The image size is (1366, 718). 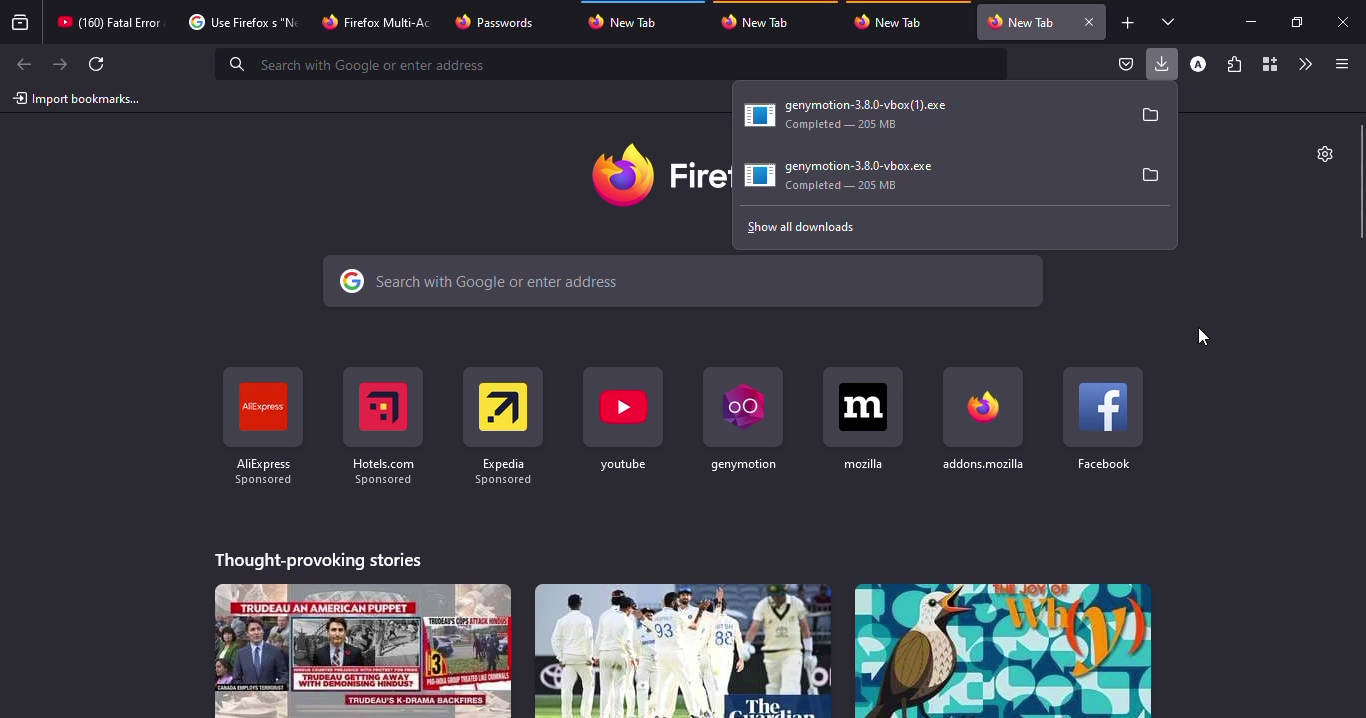 I want to click on search, so click(x=685, y=282).